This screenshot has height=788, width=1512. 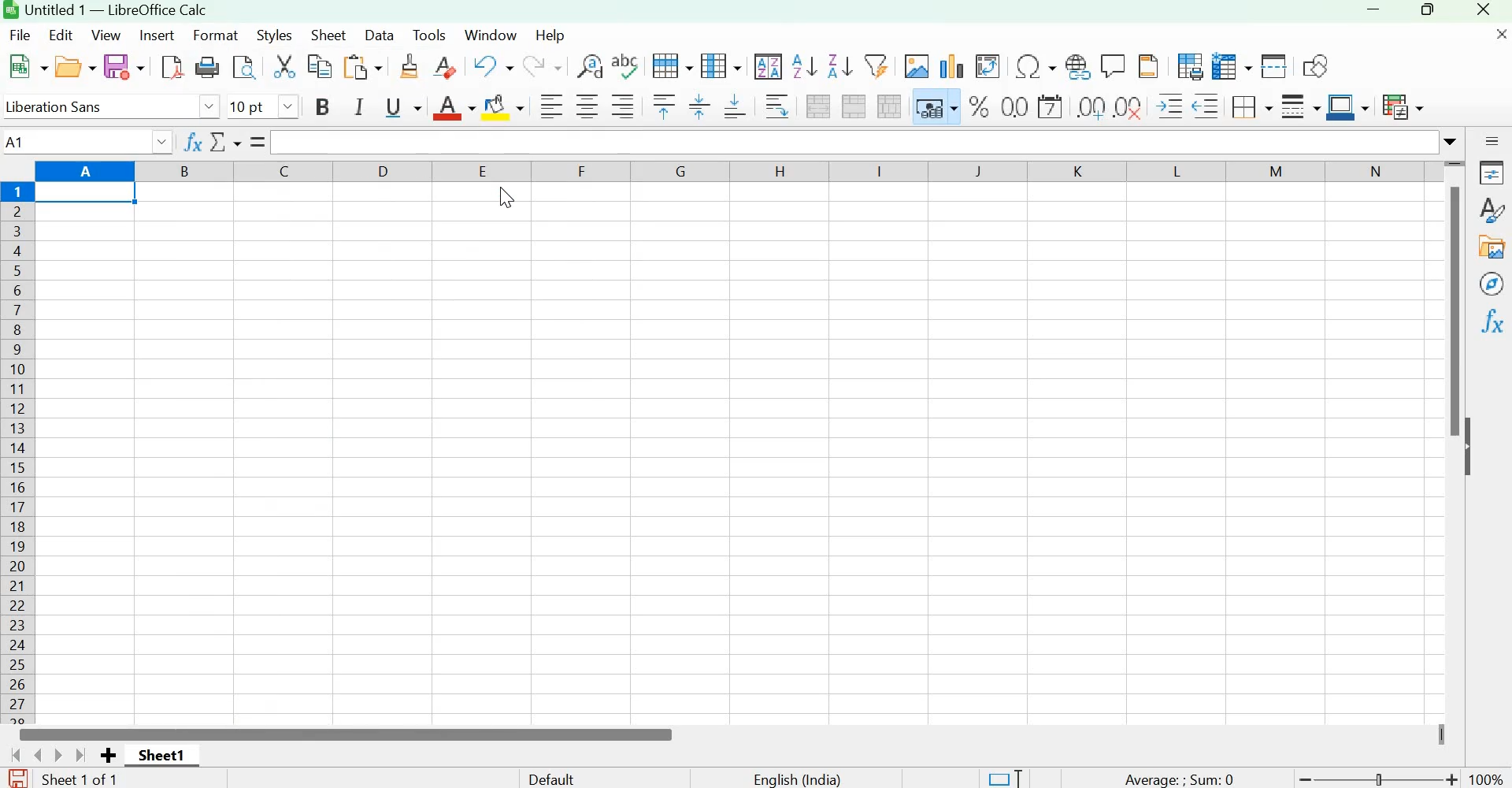 I want to click on Insert comment, so click(x=1114, y=64).